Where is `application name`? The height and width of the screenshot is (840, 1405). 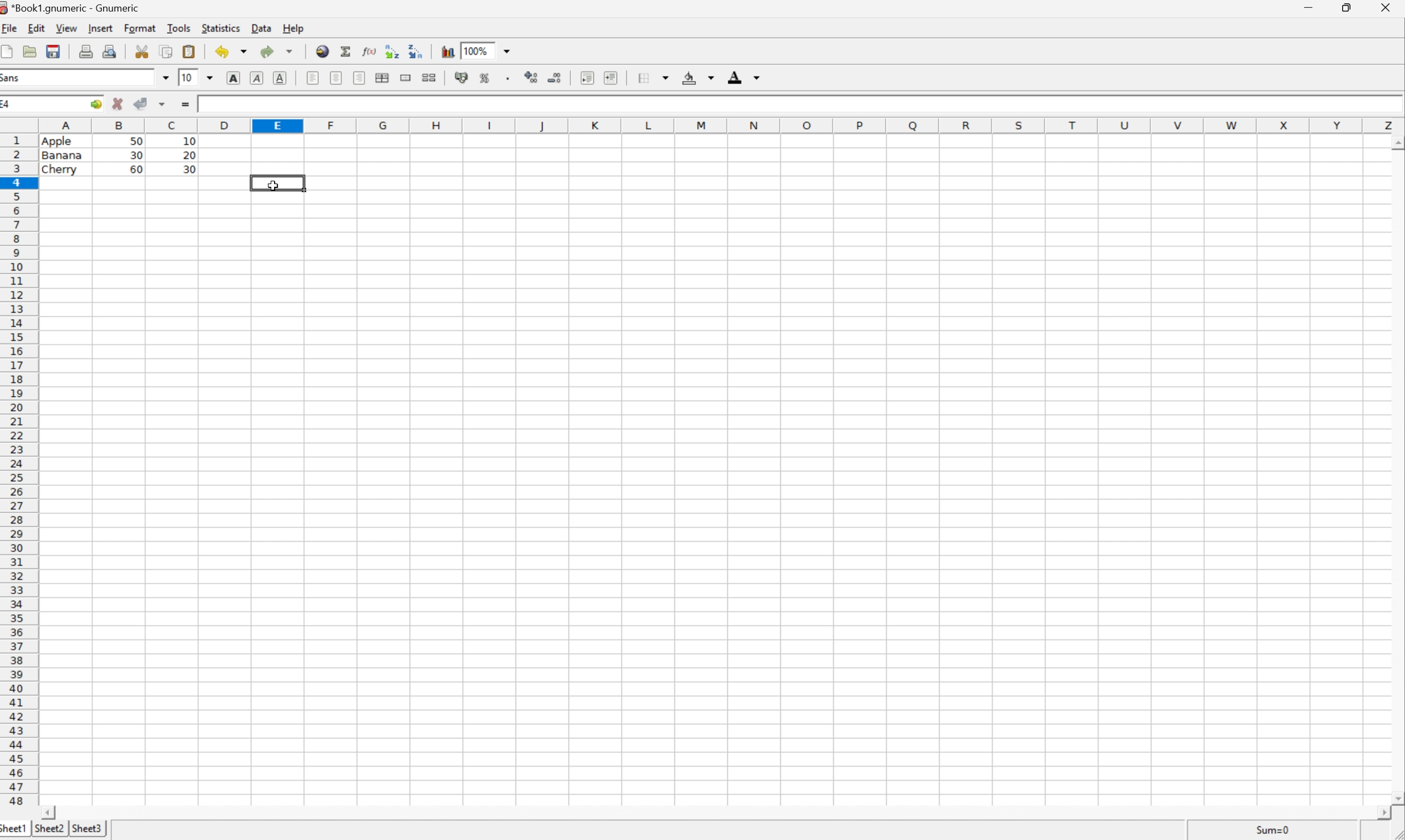
application name is located at coordinates (70, 8).